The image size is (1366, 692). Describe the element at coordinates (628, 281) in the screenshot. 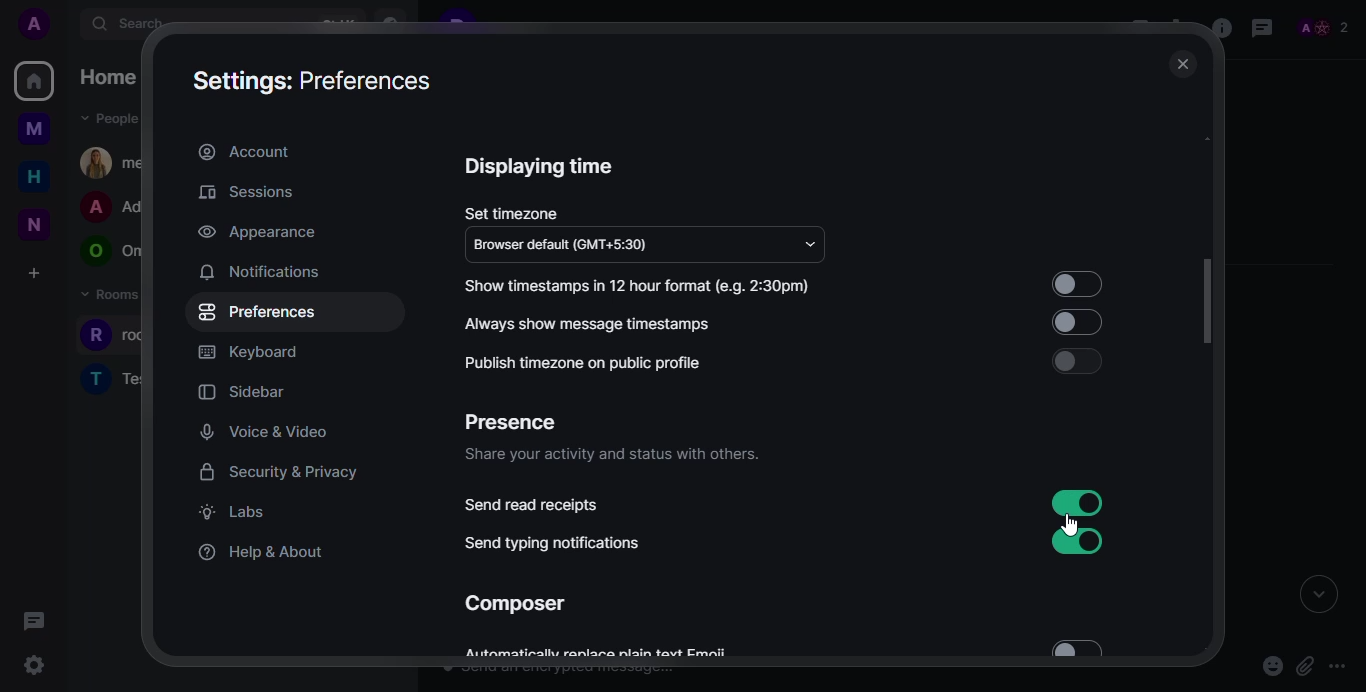

I see `Show timestamps in 12 hour format (e.g. 2:30pm)` at that location.